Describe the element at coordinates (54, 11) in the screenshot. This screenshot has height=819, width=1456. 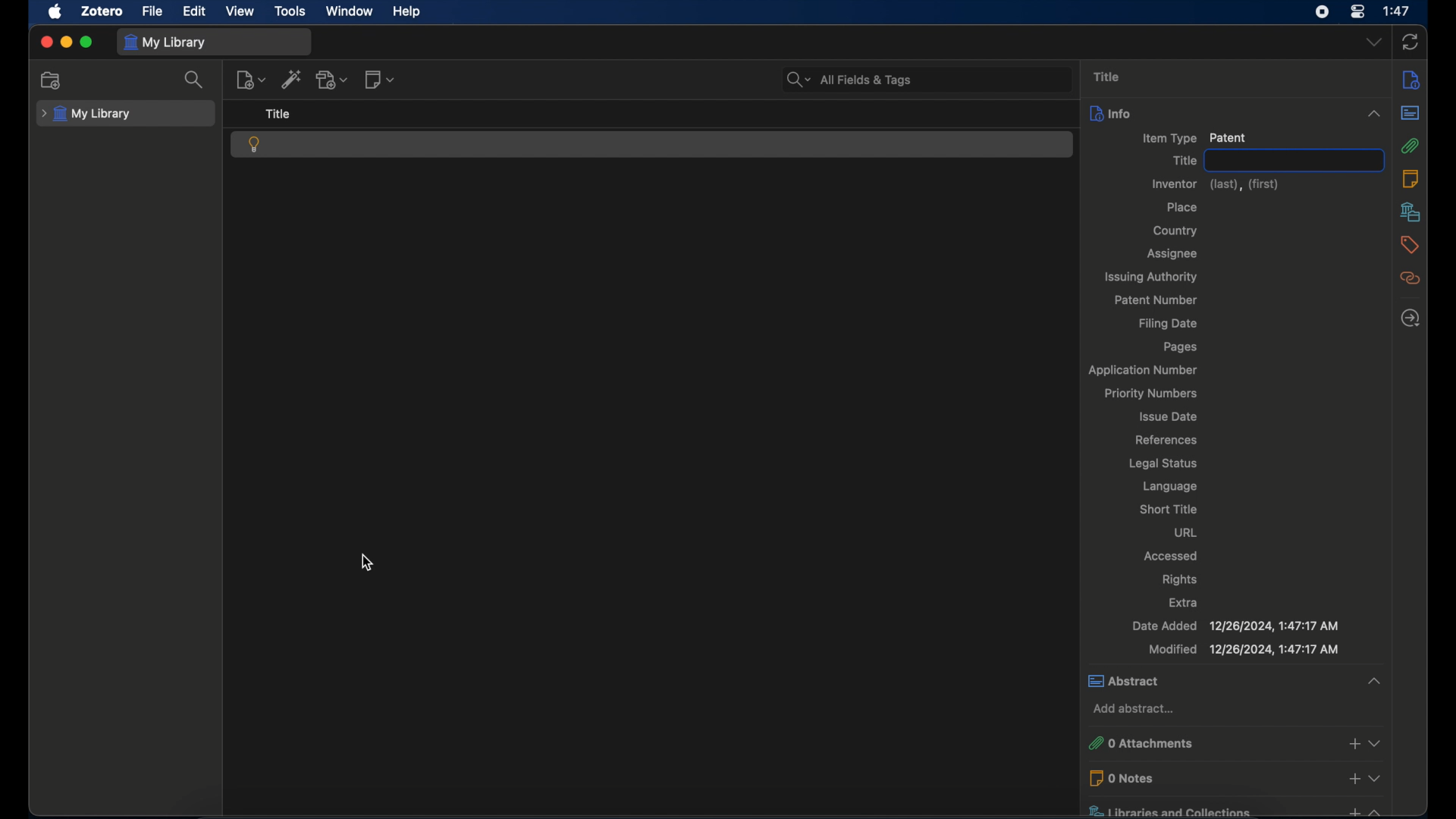
I see `apple` at that location.